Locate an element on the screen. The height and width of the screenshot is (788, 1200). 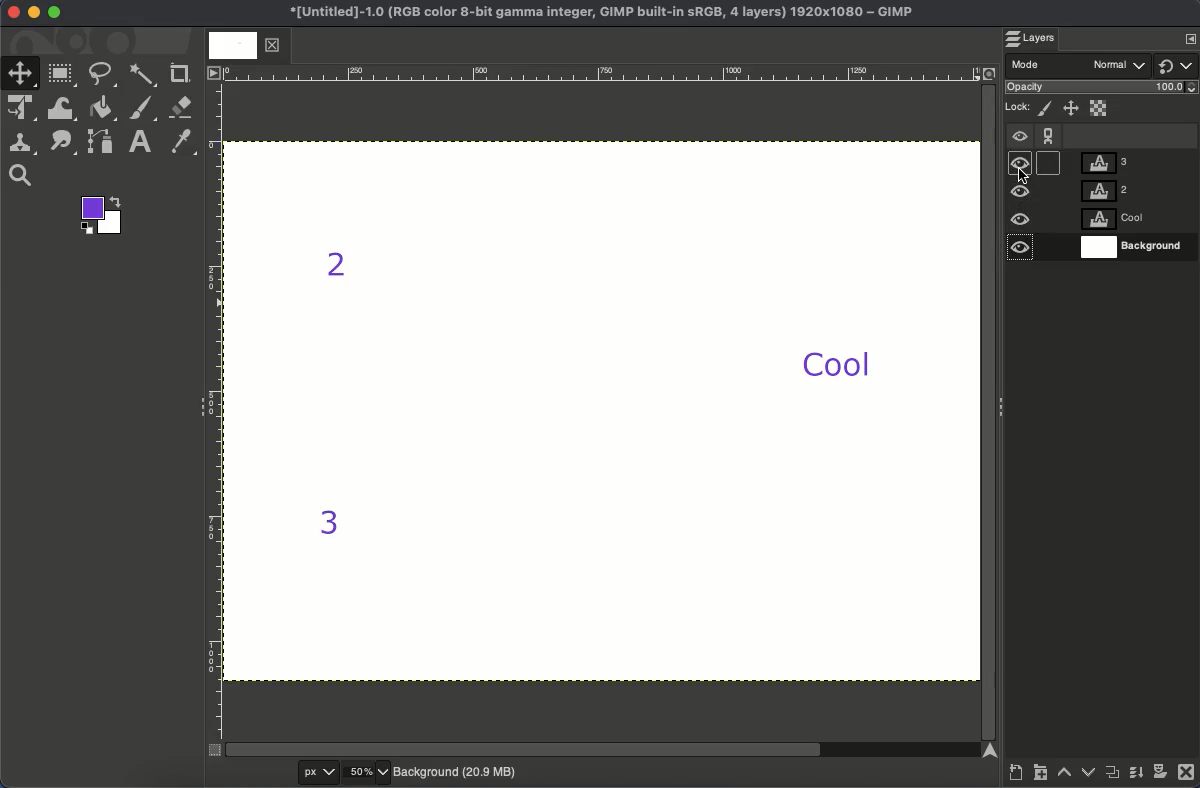
Scroll is located at coordinates (603, 750).